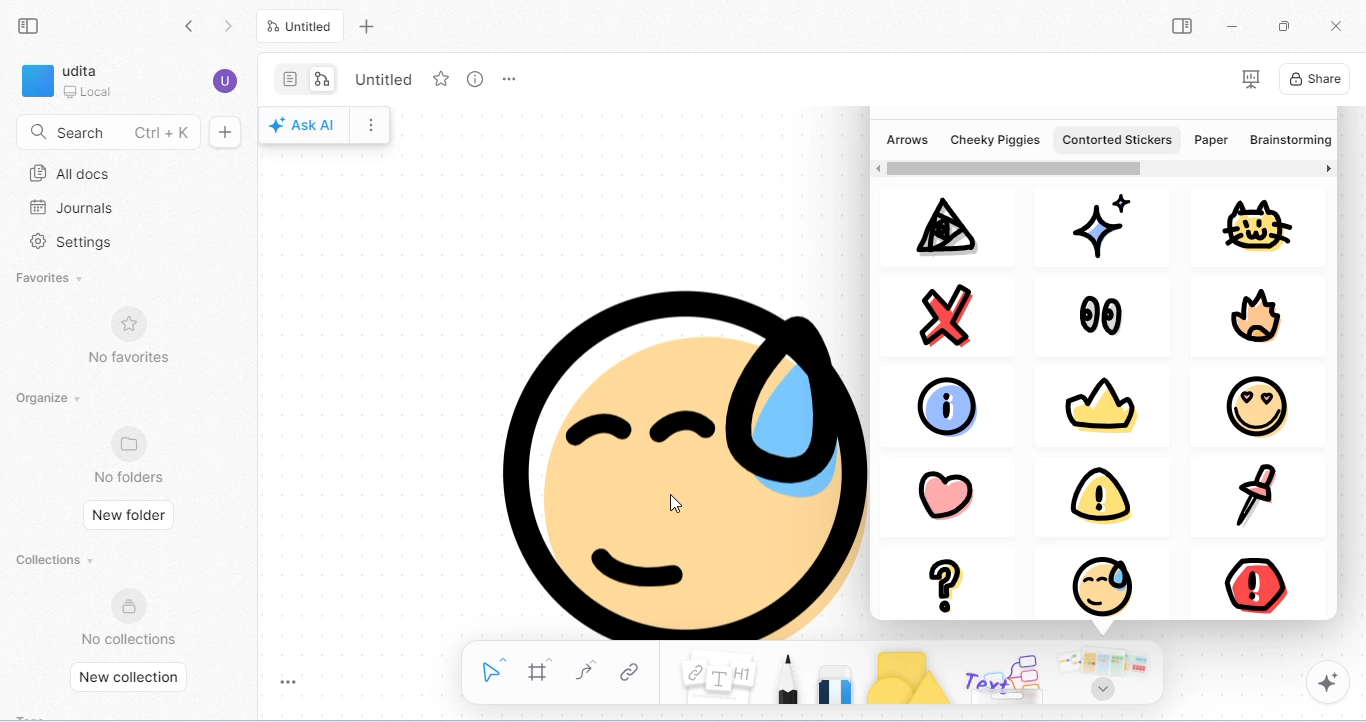 The height and width of the screenshot is (722, 1366). I want to click on favorites, so click(51, 280).